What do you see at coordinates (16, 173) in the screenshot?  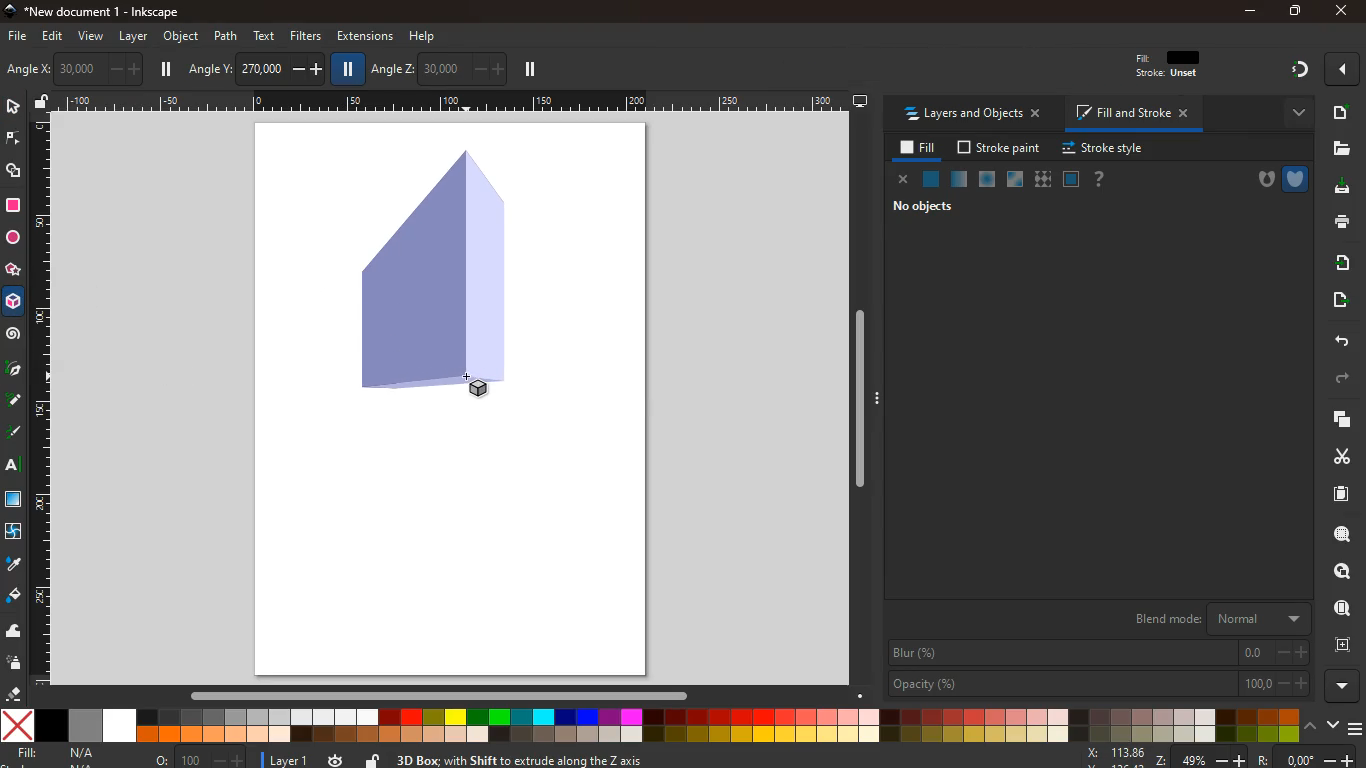 I see `shapes` at bounding box center [16, 173].